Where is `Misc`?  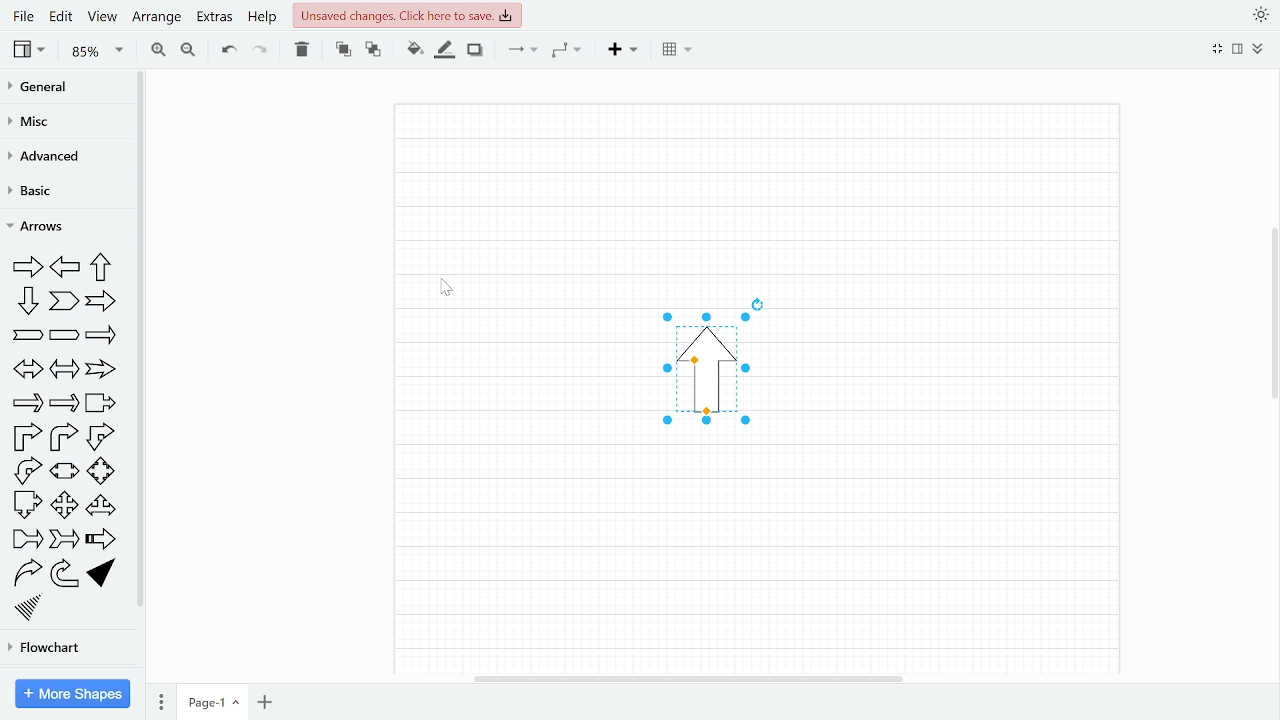 Misc is located at coordinates (38, 123).